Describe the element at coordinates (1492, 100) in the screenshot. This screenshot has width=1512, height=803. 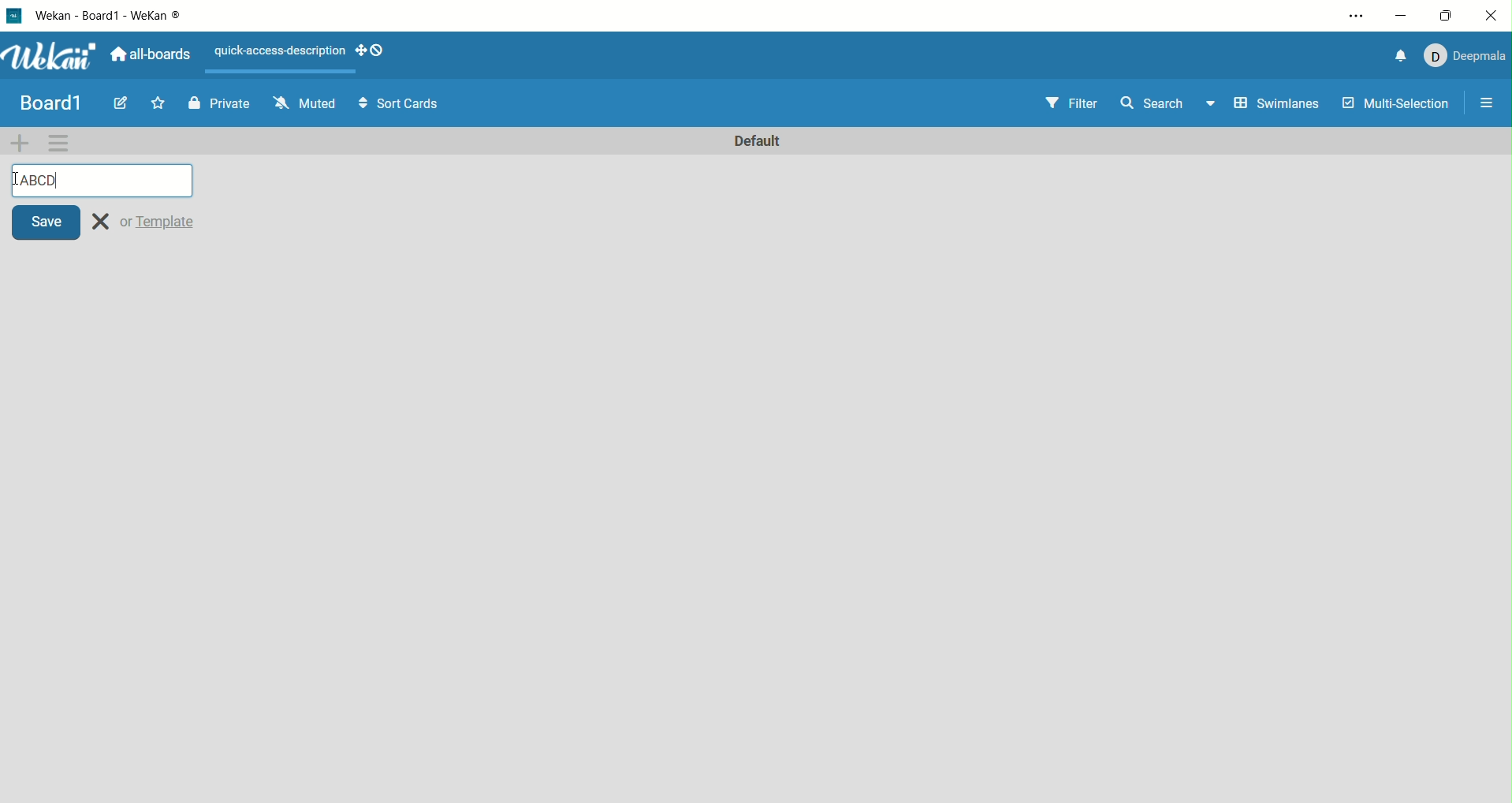
I see `open/close sidebar` at that location.